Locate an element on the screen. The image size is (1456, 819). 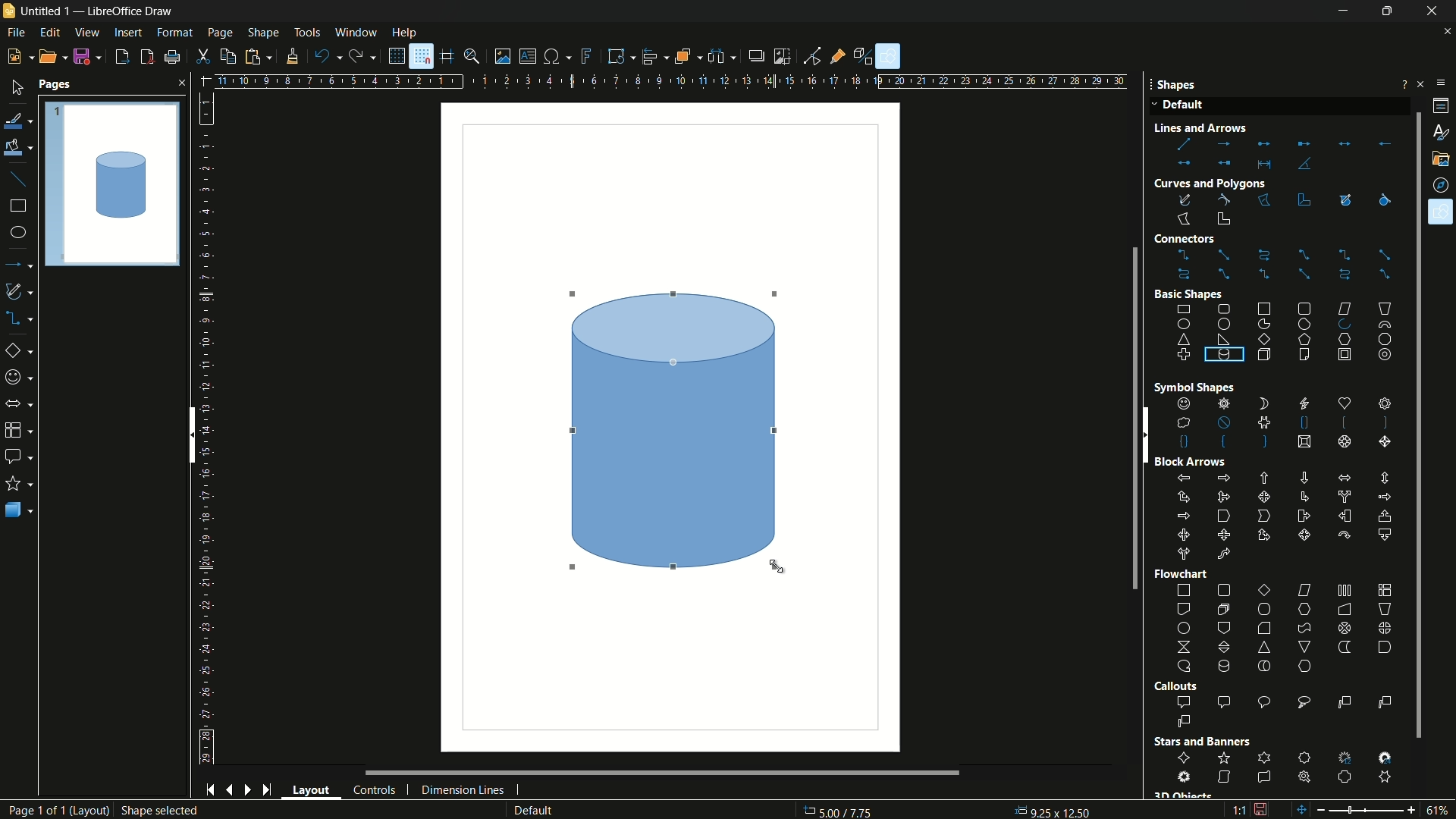
shape menu is located at coordinates (265, 33).